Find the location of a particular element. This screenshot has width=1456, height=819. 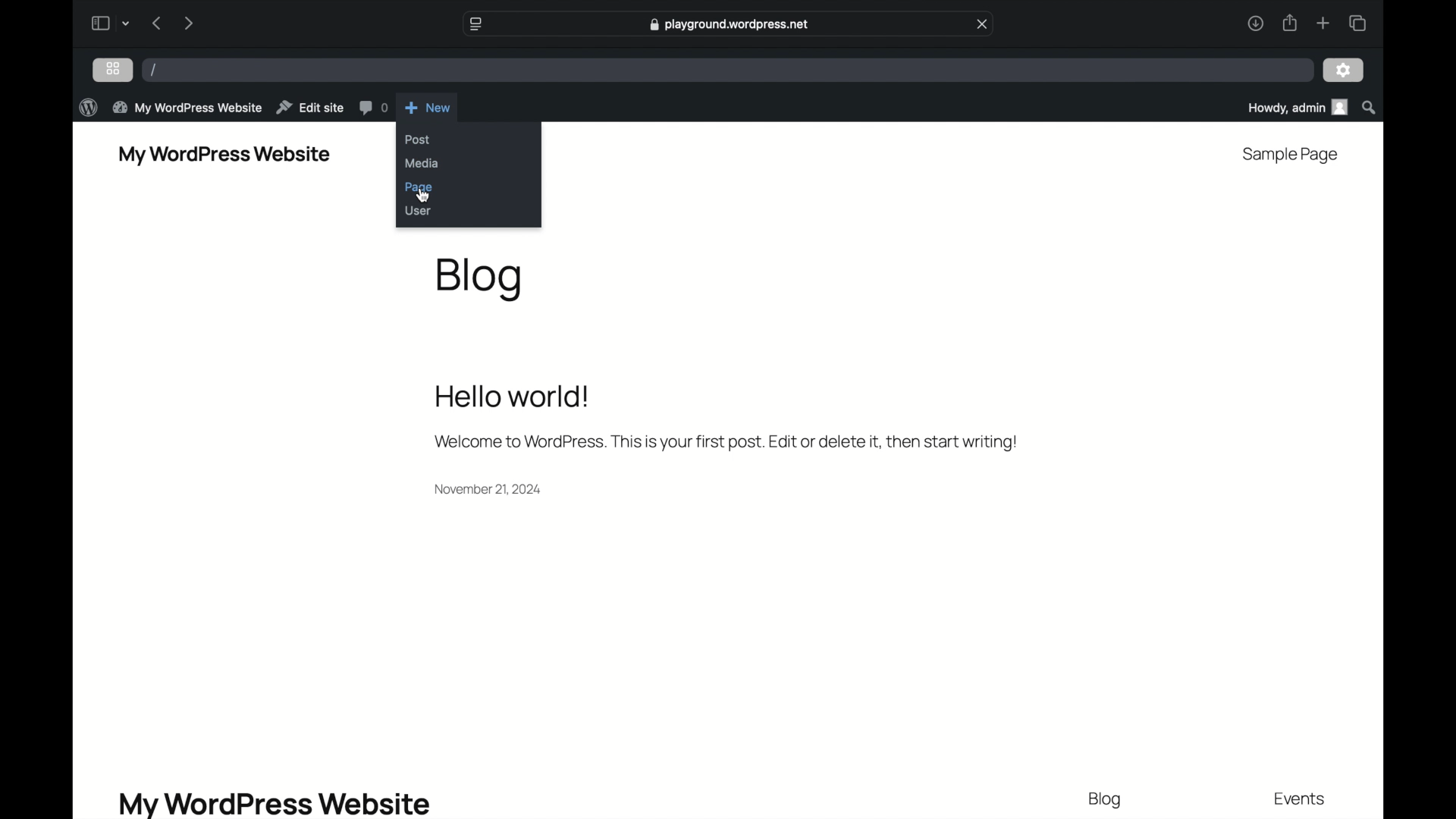

my wordpress website is located at coordinates (224, 155).